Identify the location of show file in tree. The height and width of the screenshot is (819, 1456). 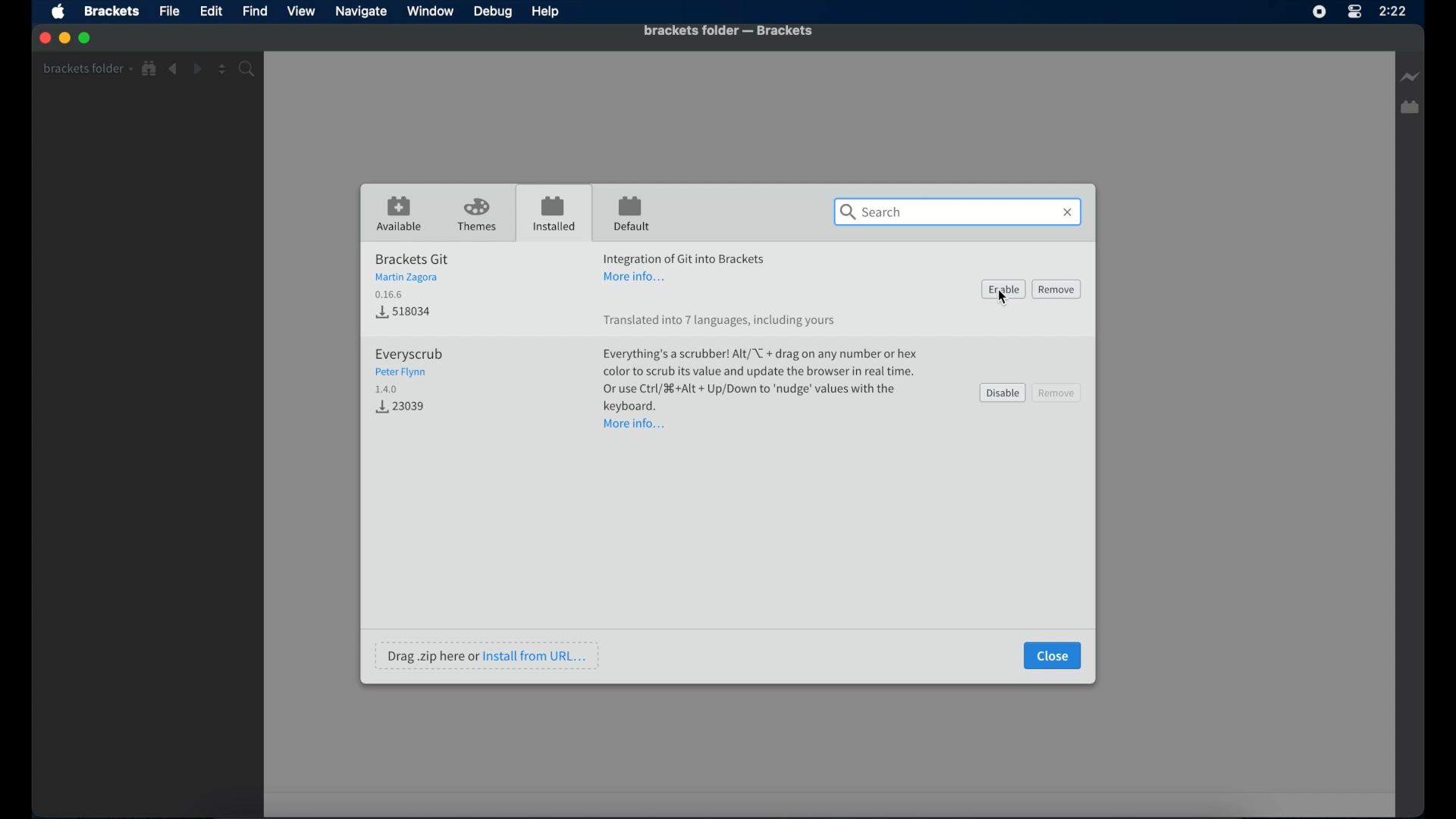
(150, 69).